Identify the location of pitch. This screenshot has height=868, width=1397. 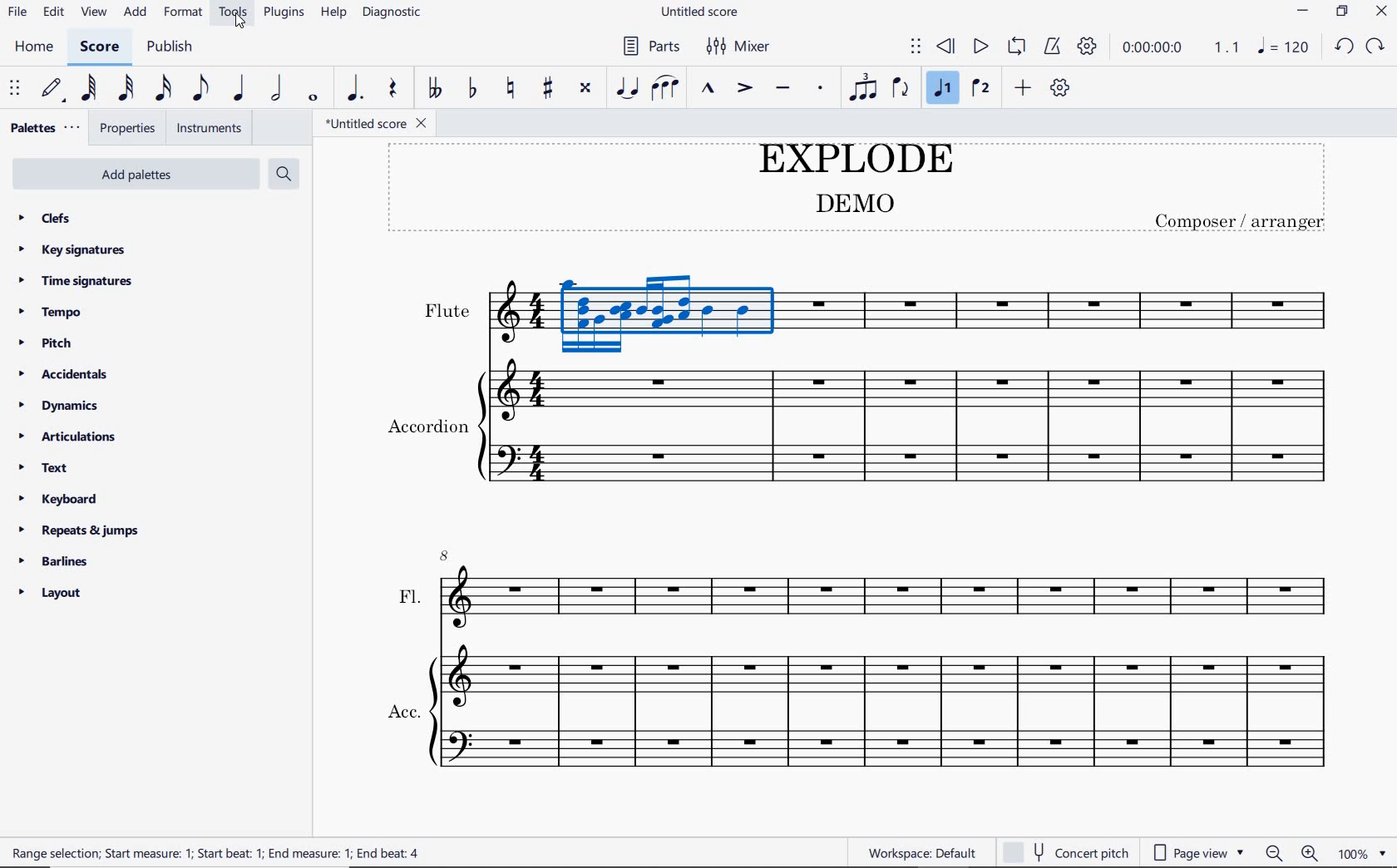
(48, 344).